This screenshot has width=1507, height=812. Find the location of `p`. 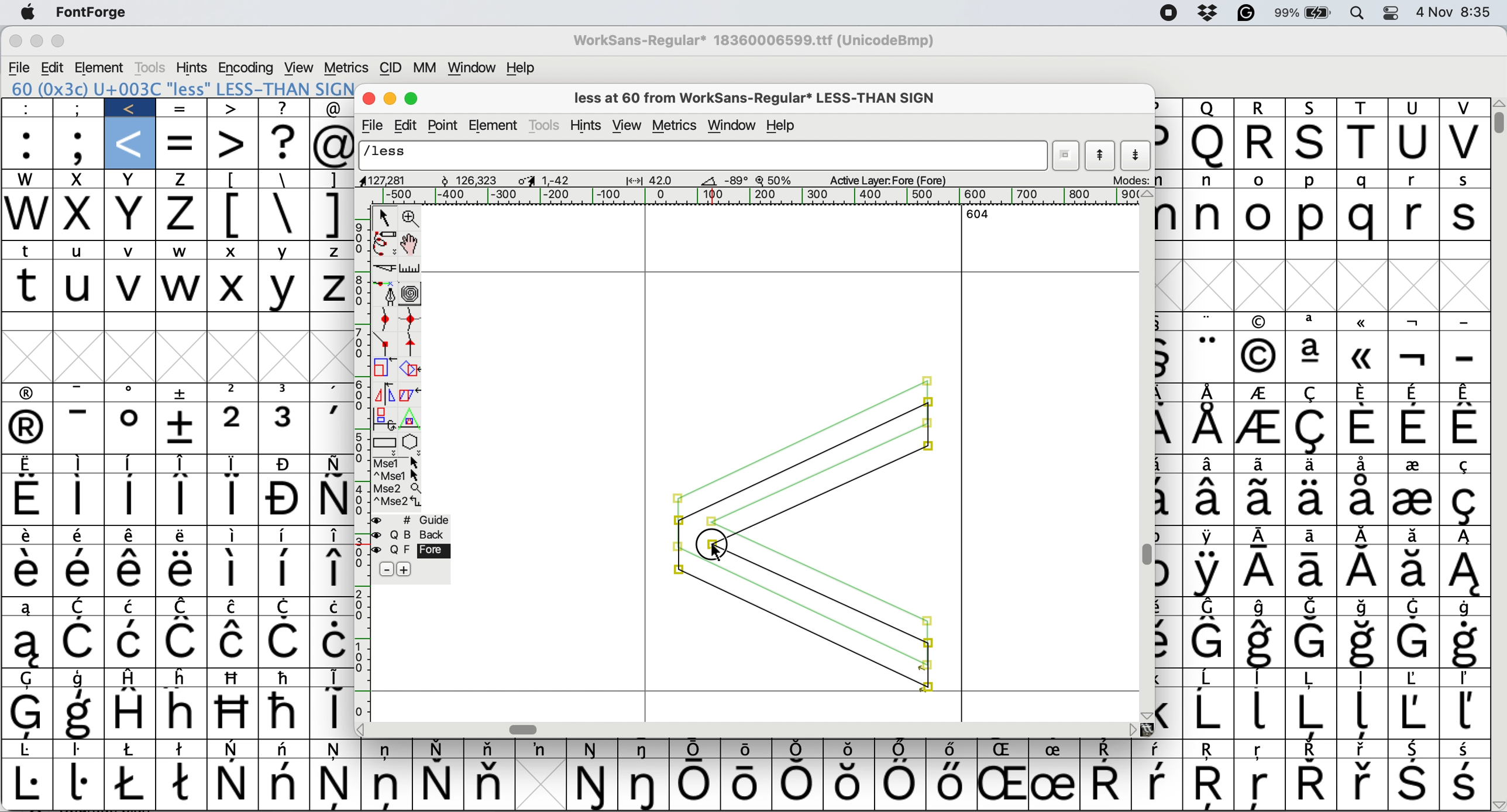

p is located at coordinates (1167, 106).